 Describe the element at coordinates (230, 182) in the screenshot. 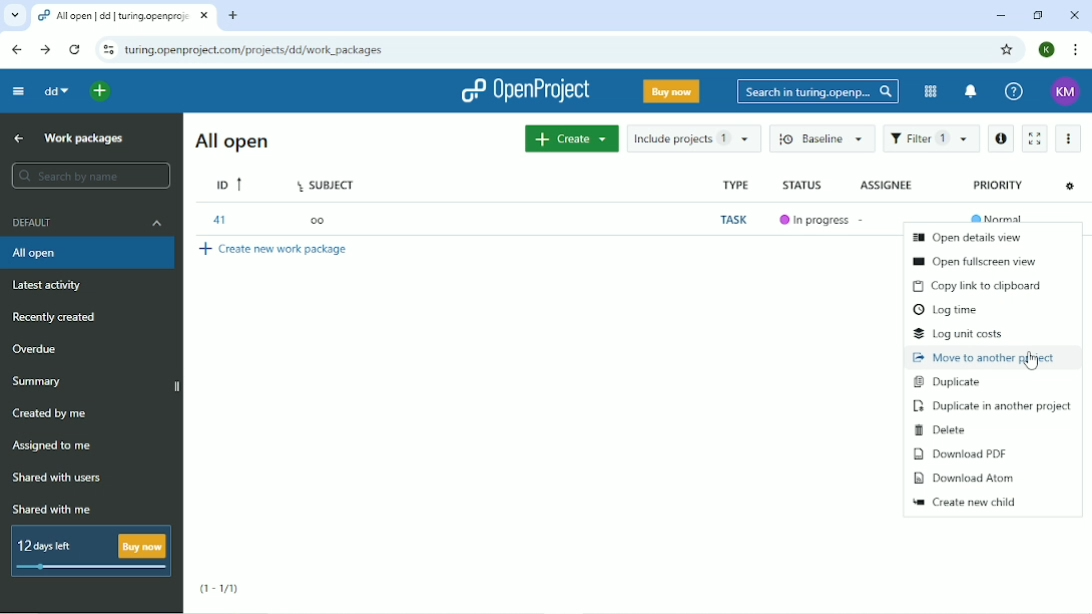

I see `ID` at that location.